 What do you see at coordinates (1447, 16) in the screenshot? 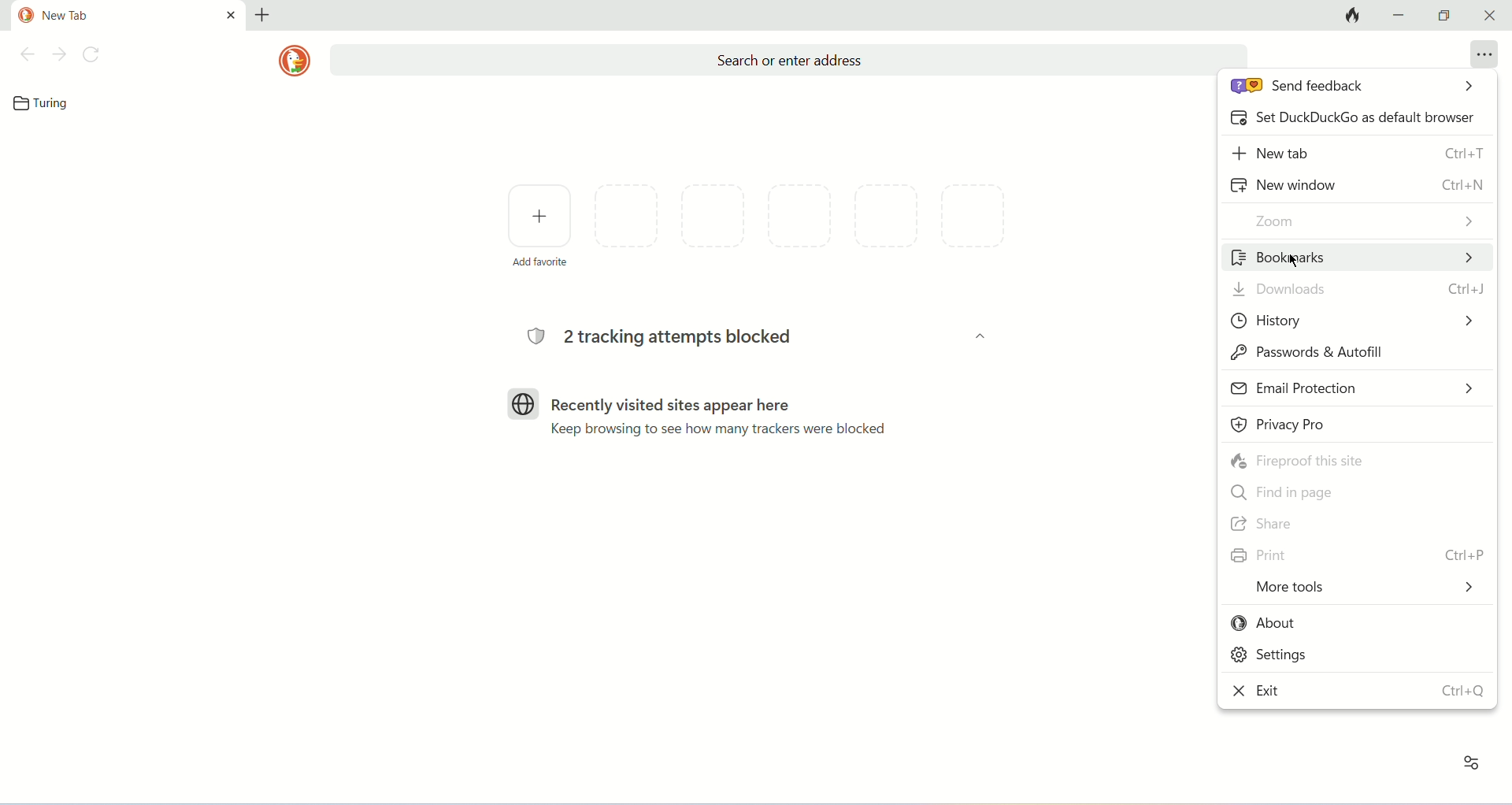
I see `maximize` at bounding box center [1447, 16].